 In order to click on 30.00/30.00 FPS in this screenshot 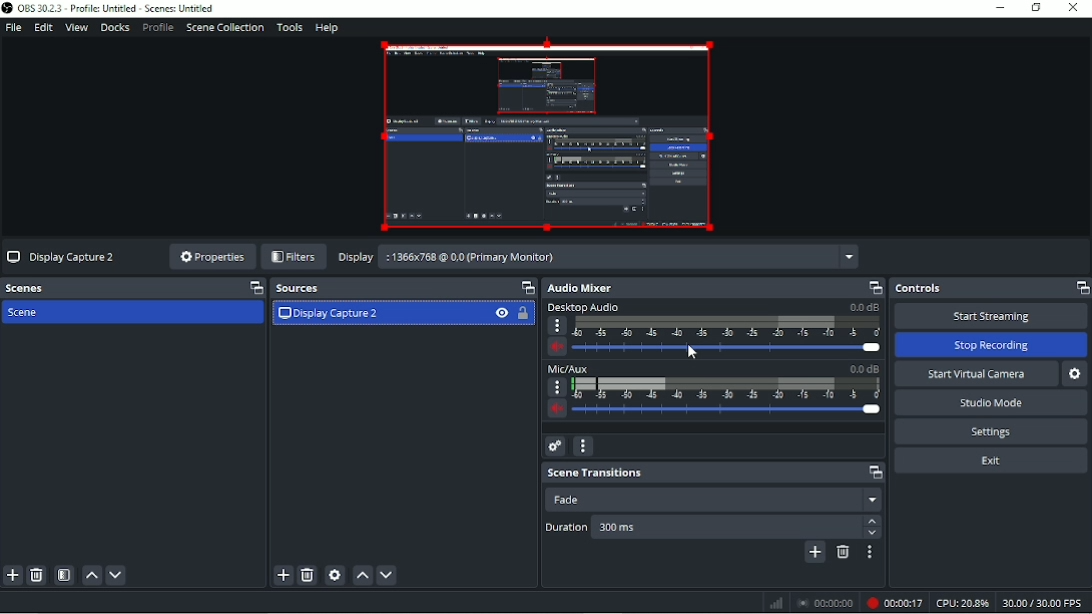, I will do `click(1044, 603)`.